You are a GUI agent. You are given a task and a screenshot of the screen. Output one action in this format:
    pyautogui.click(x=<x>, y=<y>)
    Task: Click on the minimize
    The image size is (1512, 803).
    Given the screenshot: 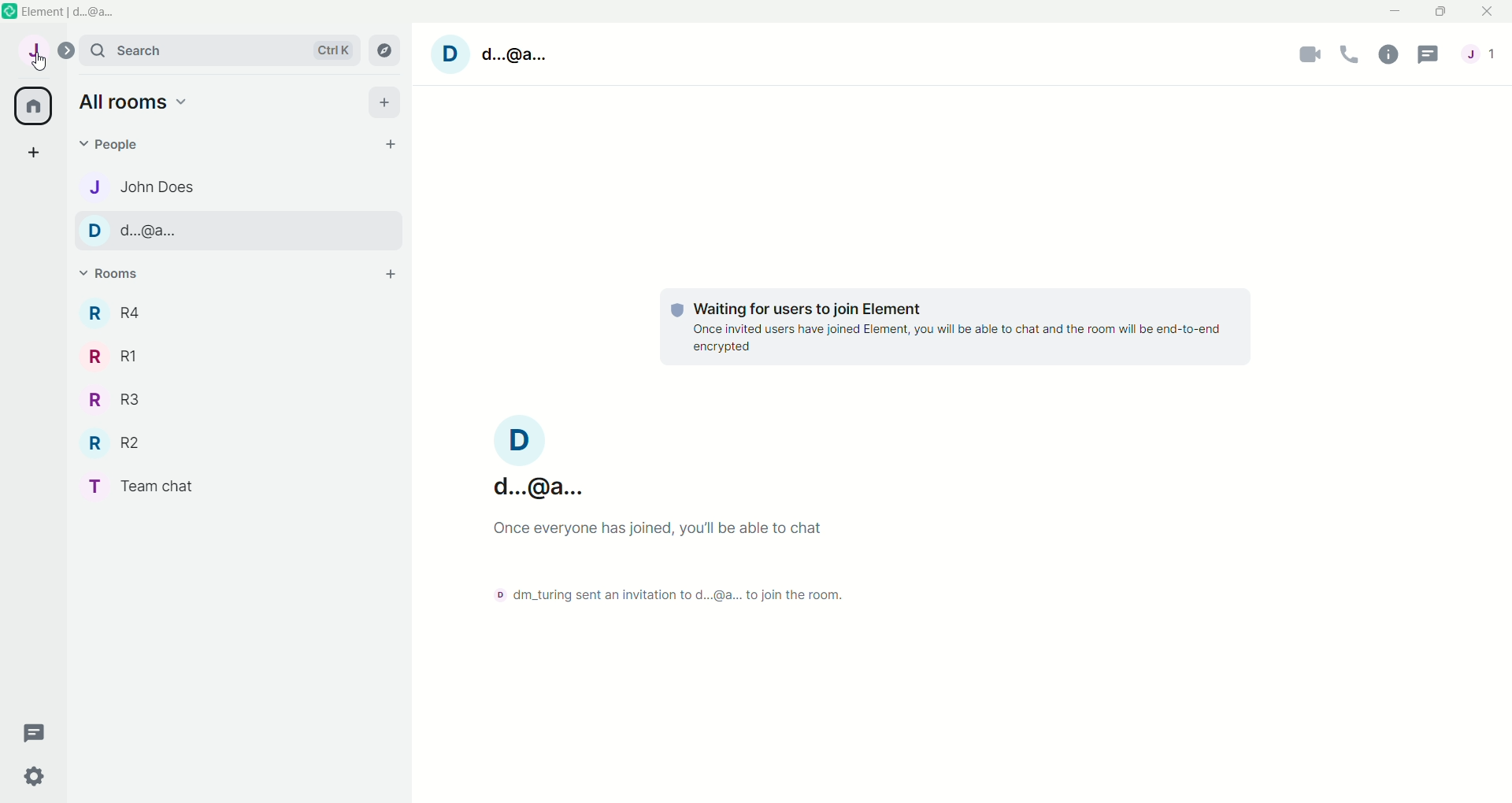 What is the action you would take?
    pyautogui.click(x=1398, y=12)
    